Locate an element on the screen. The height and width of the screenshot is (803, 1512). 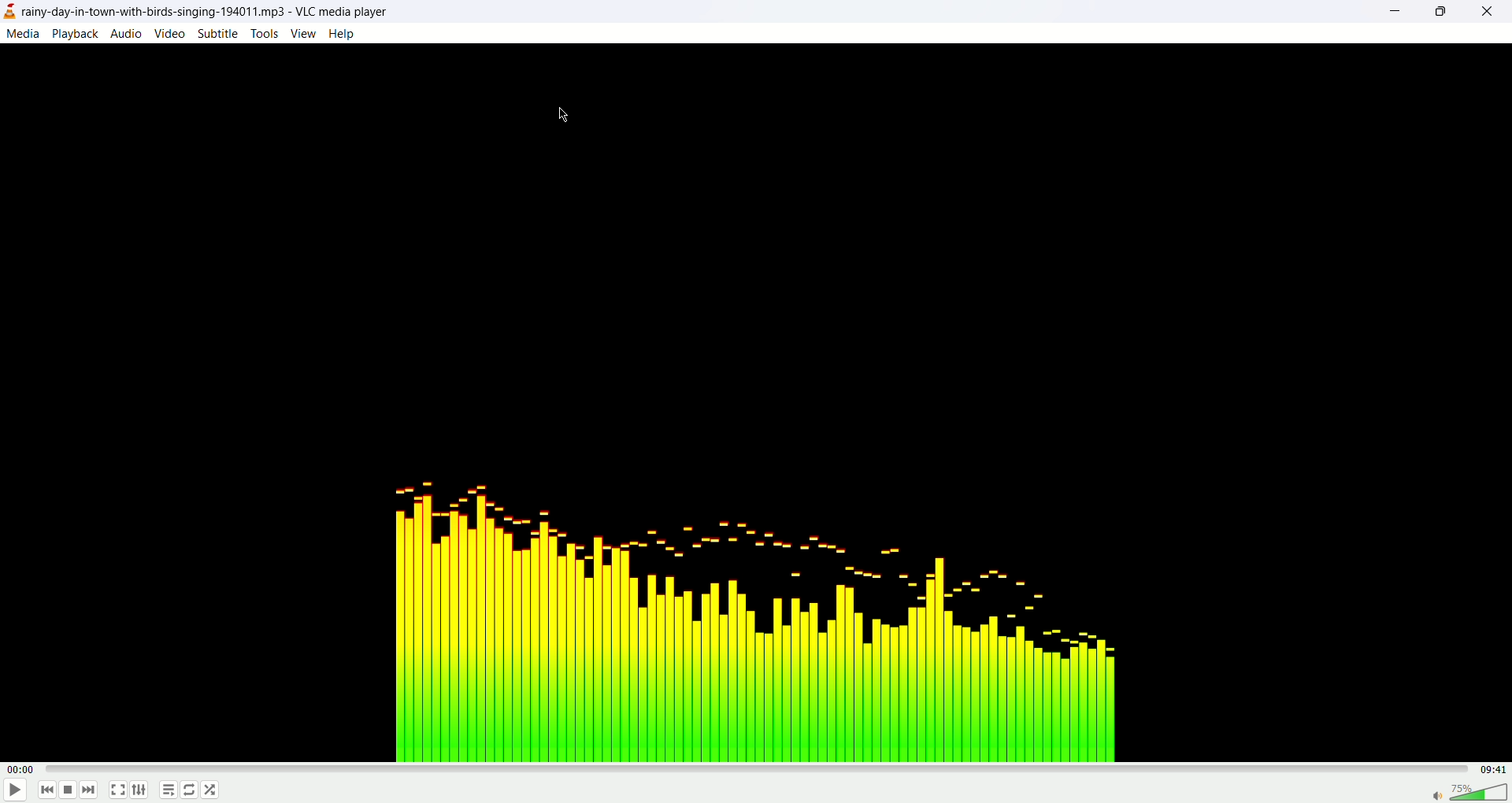
subtitle is located at coordinates (219, 33).